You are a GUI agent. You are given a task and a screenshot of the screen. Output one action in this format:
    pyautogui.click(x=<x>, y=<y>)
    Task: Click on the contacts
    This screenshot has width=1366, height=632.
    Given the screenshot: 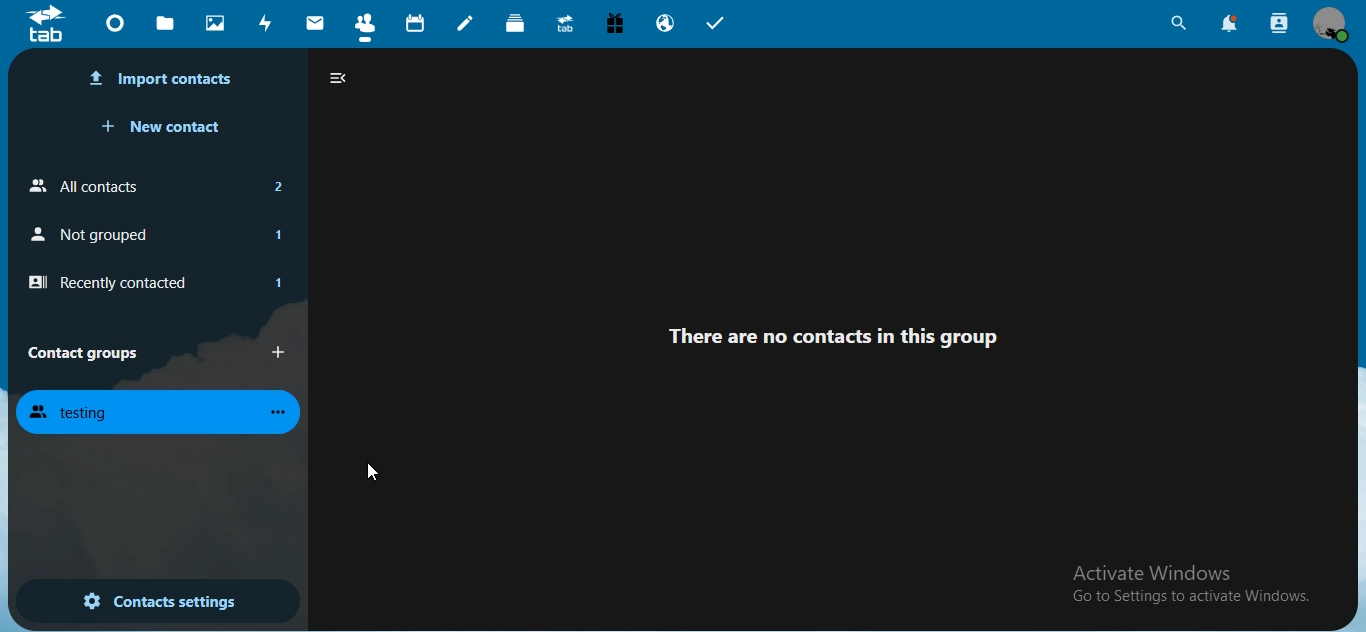 What is the action you would take?
    pyautogui.click(x=367, y=29)
    